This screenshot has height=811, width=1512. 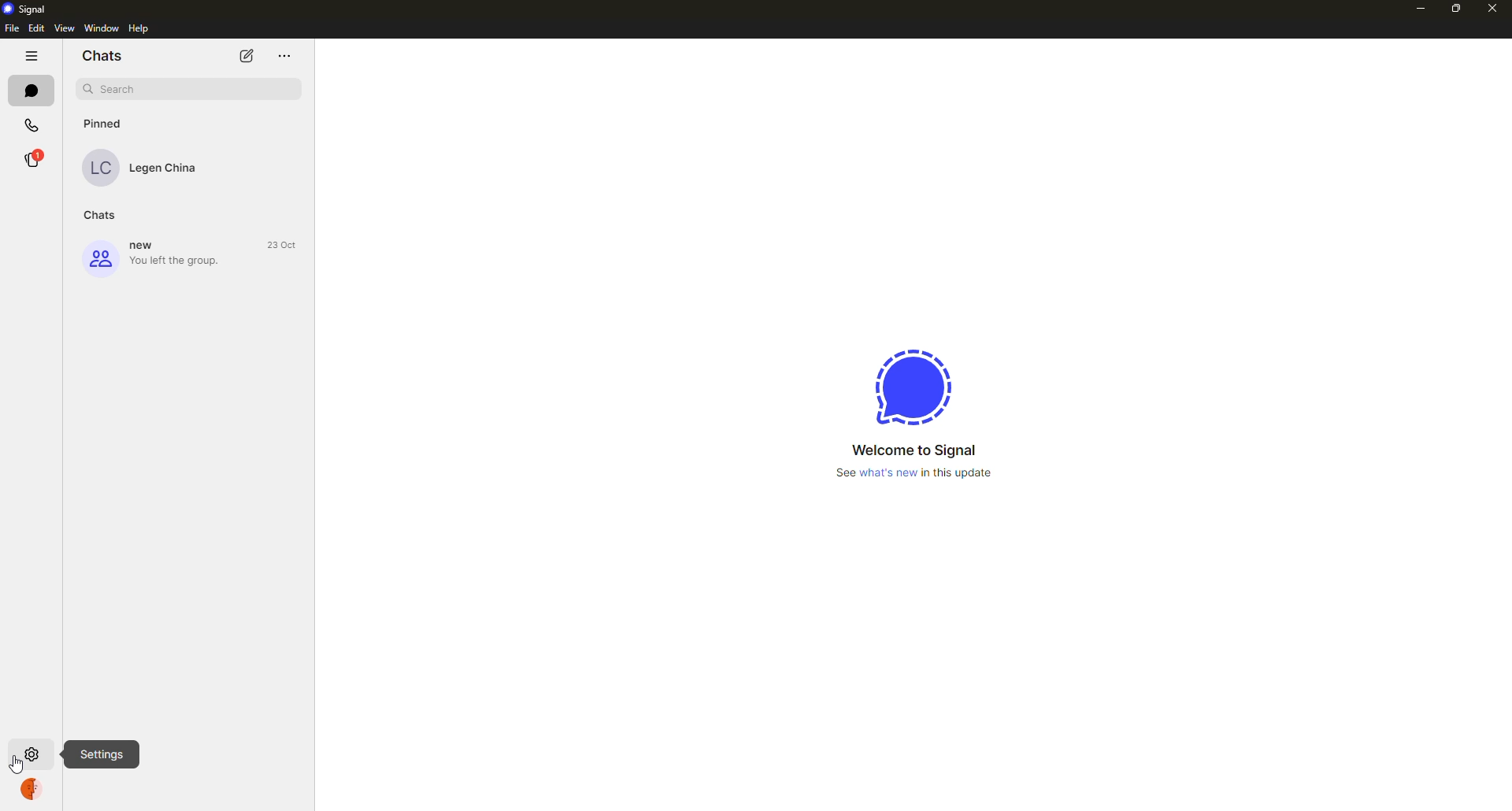 What do you see at coordinates (31, 126) in the screenshot?
I see `Calls` at bounding box center [31, 126].